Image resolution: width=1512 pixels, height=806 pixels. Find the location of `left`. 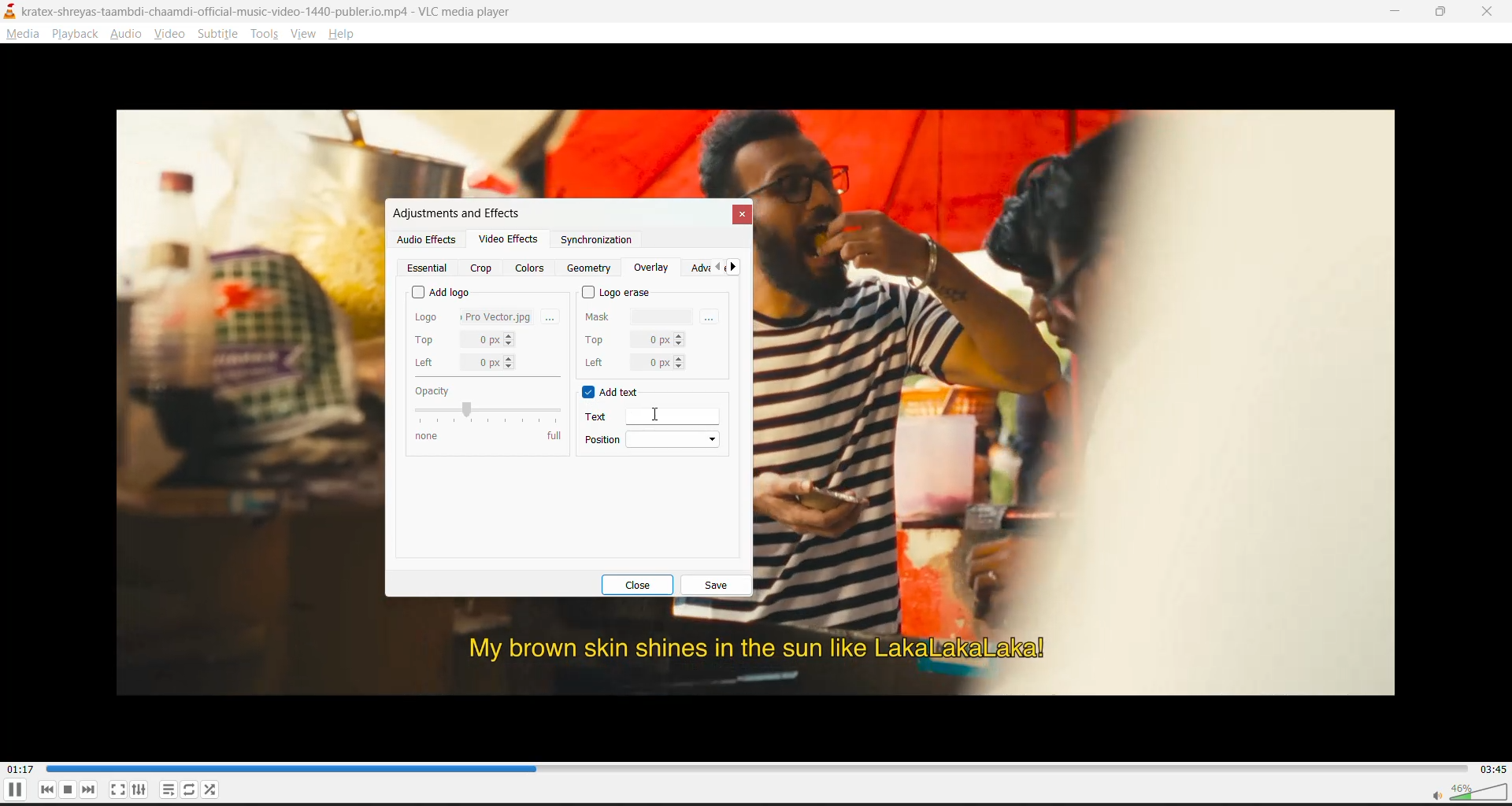

left is located at coordinates (466, 363).